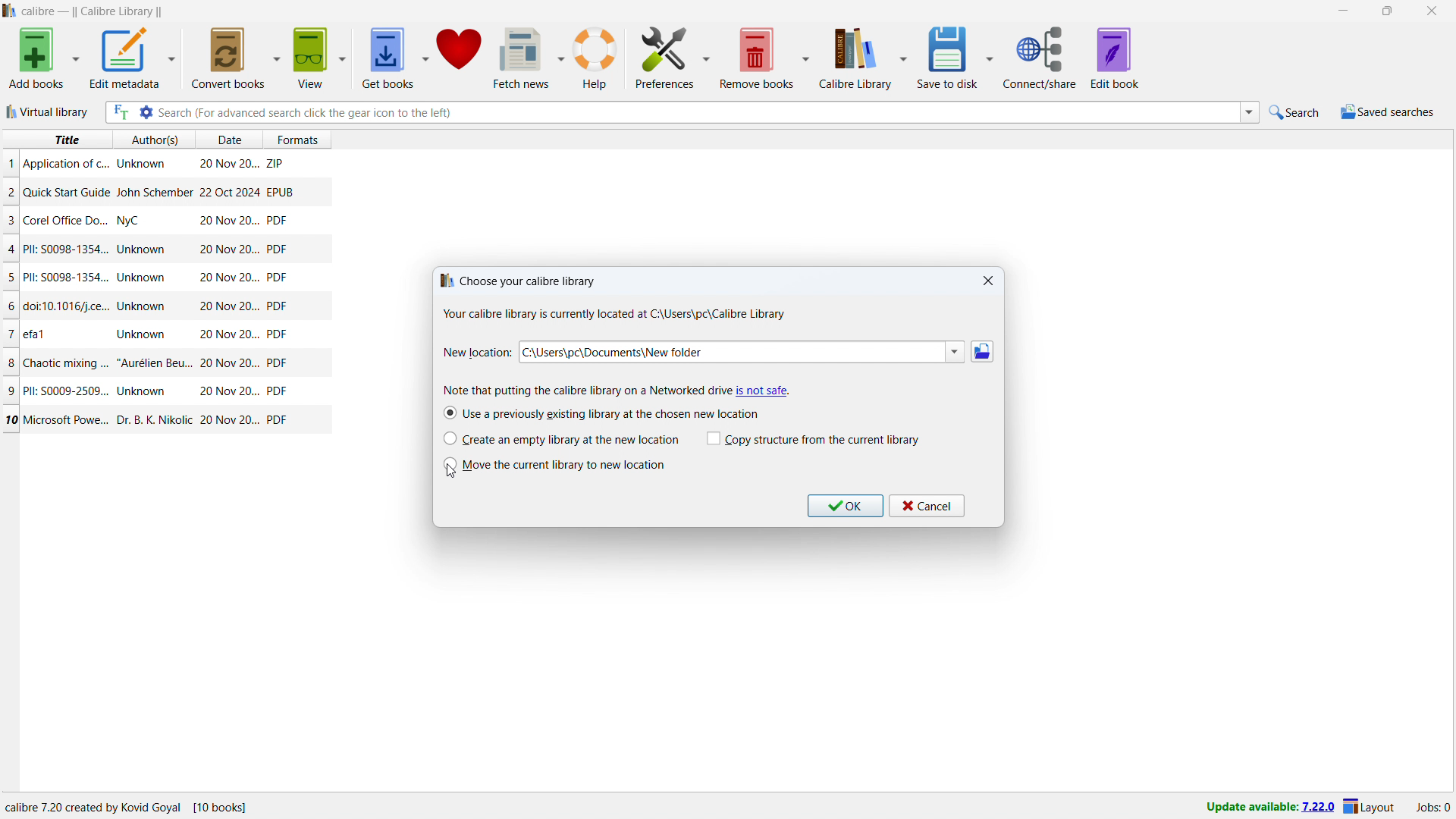  I want to click on New location, so click(477, 353).